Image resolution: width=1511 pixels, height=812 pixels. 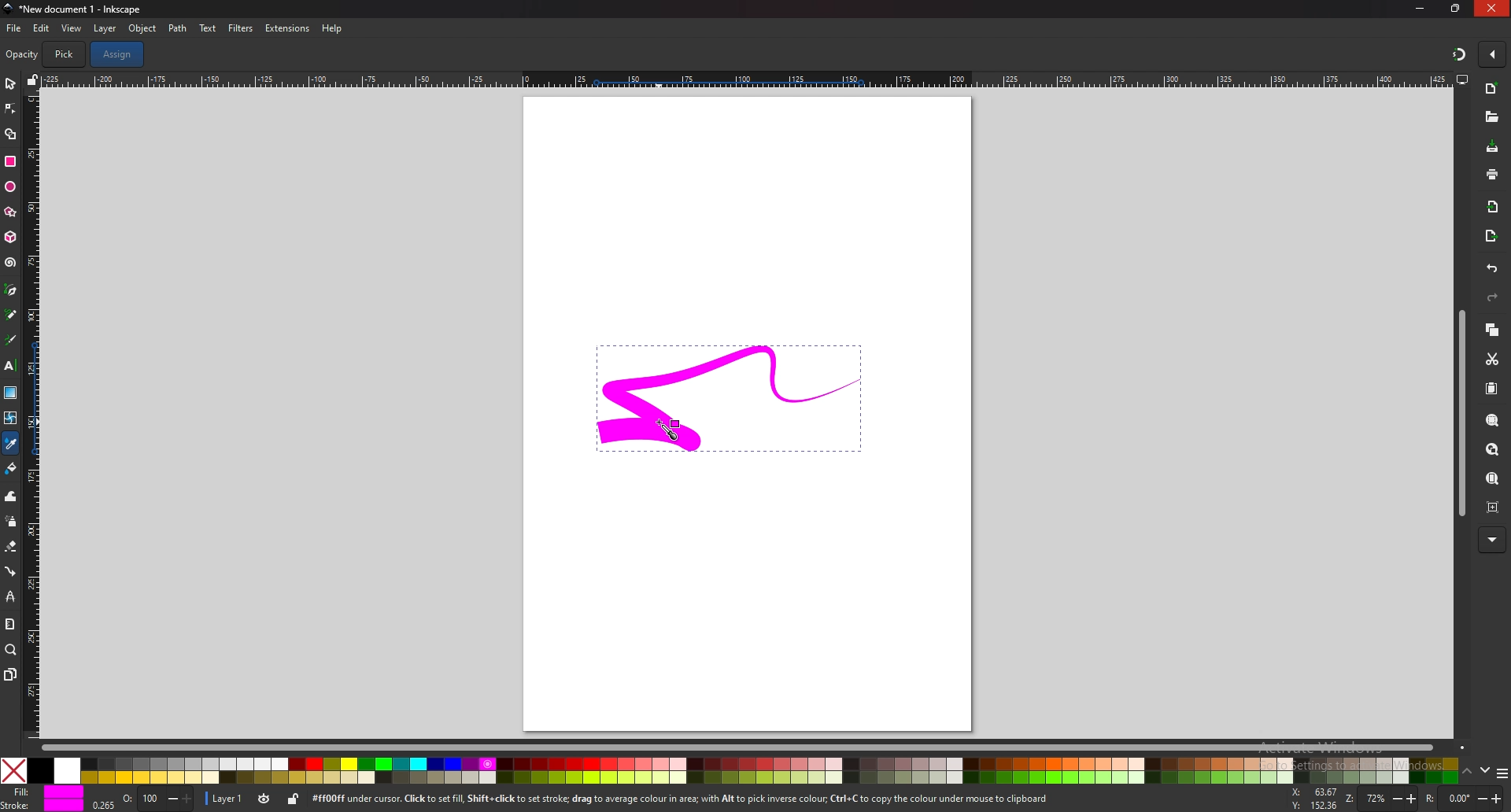 I want to click on mesh, so click(x=11, y=418).